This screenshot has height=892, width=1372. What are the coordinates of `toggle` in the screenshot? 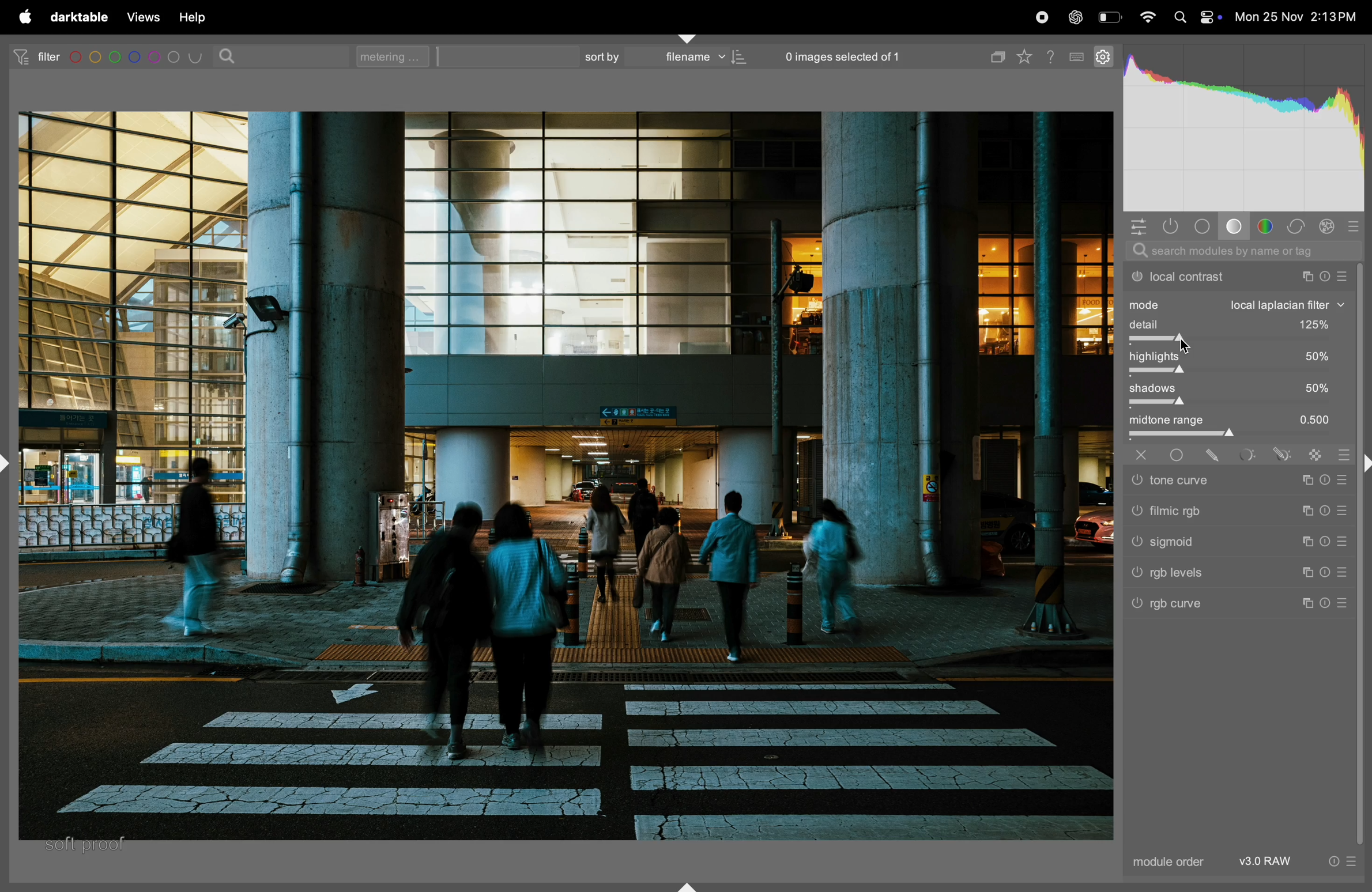 It's located at (1232, 372).